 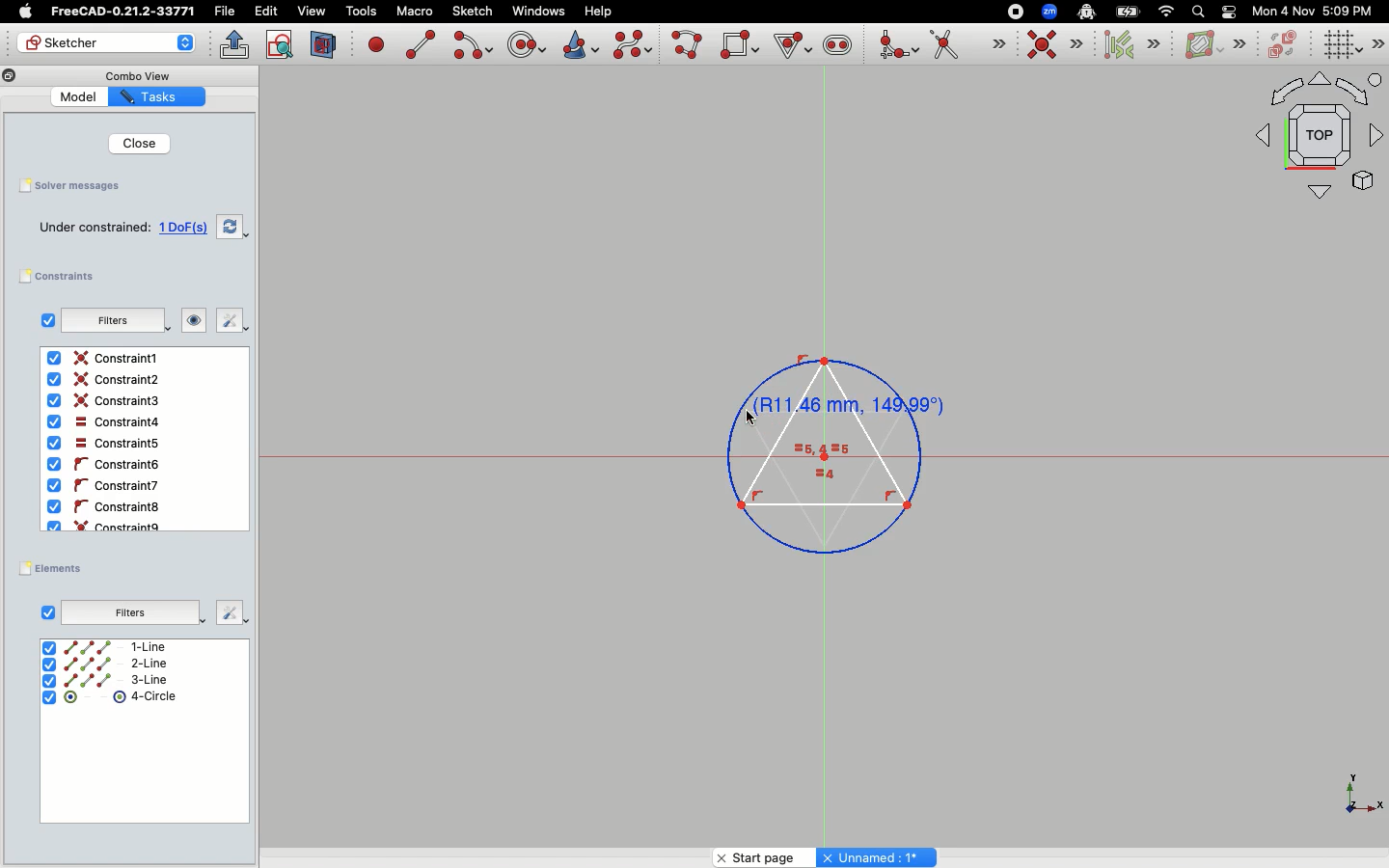 I want to click on Search, so click(x=1197, y=11).